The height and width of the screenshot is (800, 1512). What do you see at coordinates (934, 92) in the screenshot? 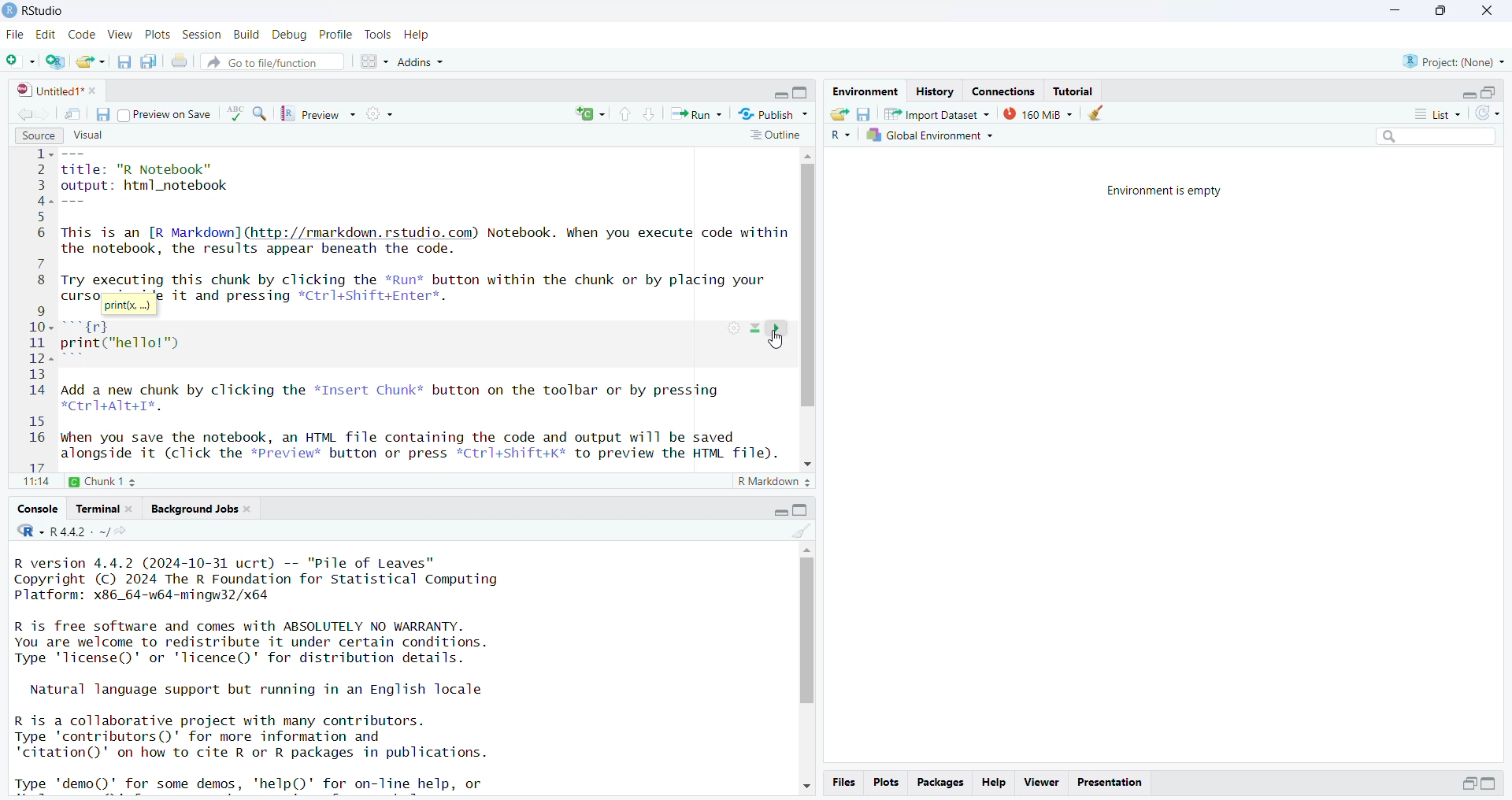
I see `history` at bounding box center [934, 92].